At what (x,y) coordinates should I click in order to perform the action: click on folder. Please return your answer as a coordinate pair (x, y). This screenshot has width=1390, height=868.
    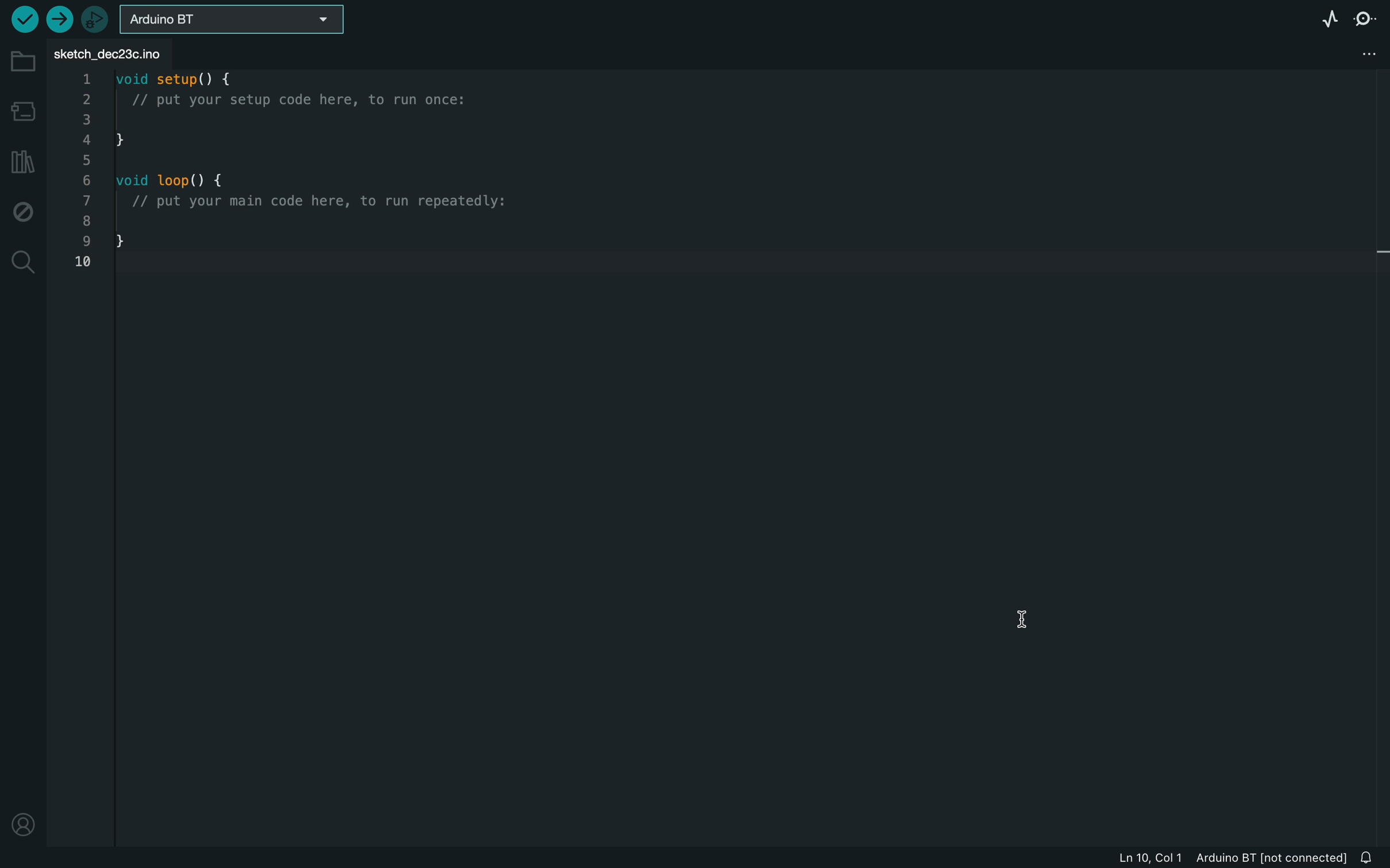
    Looking at the image, I should click on (25, 63).